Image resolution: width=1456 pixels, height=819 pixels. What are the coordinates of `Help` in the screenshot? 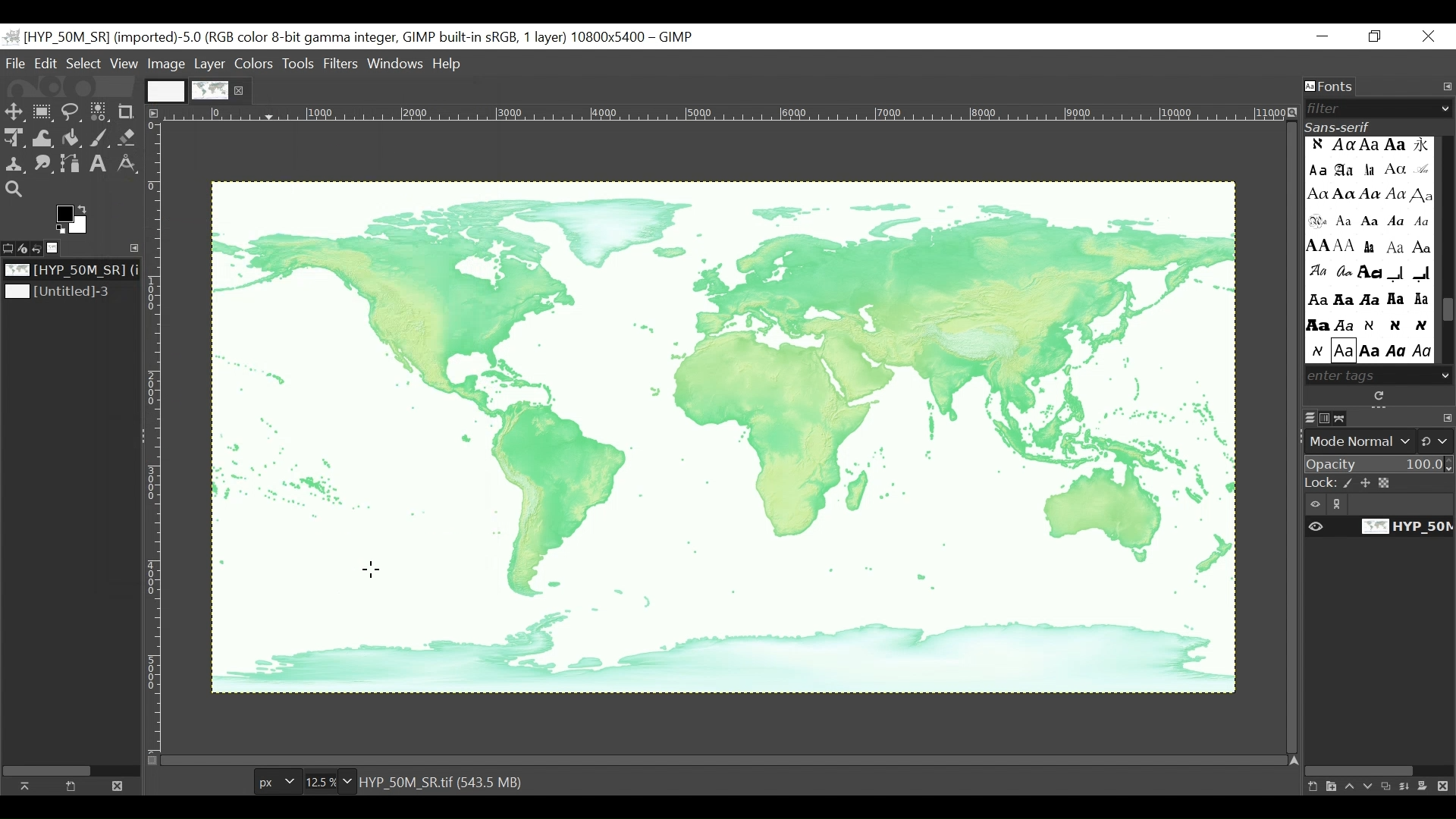 It's located at (447, 65).